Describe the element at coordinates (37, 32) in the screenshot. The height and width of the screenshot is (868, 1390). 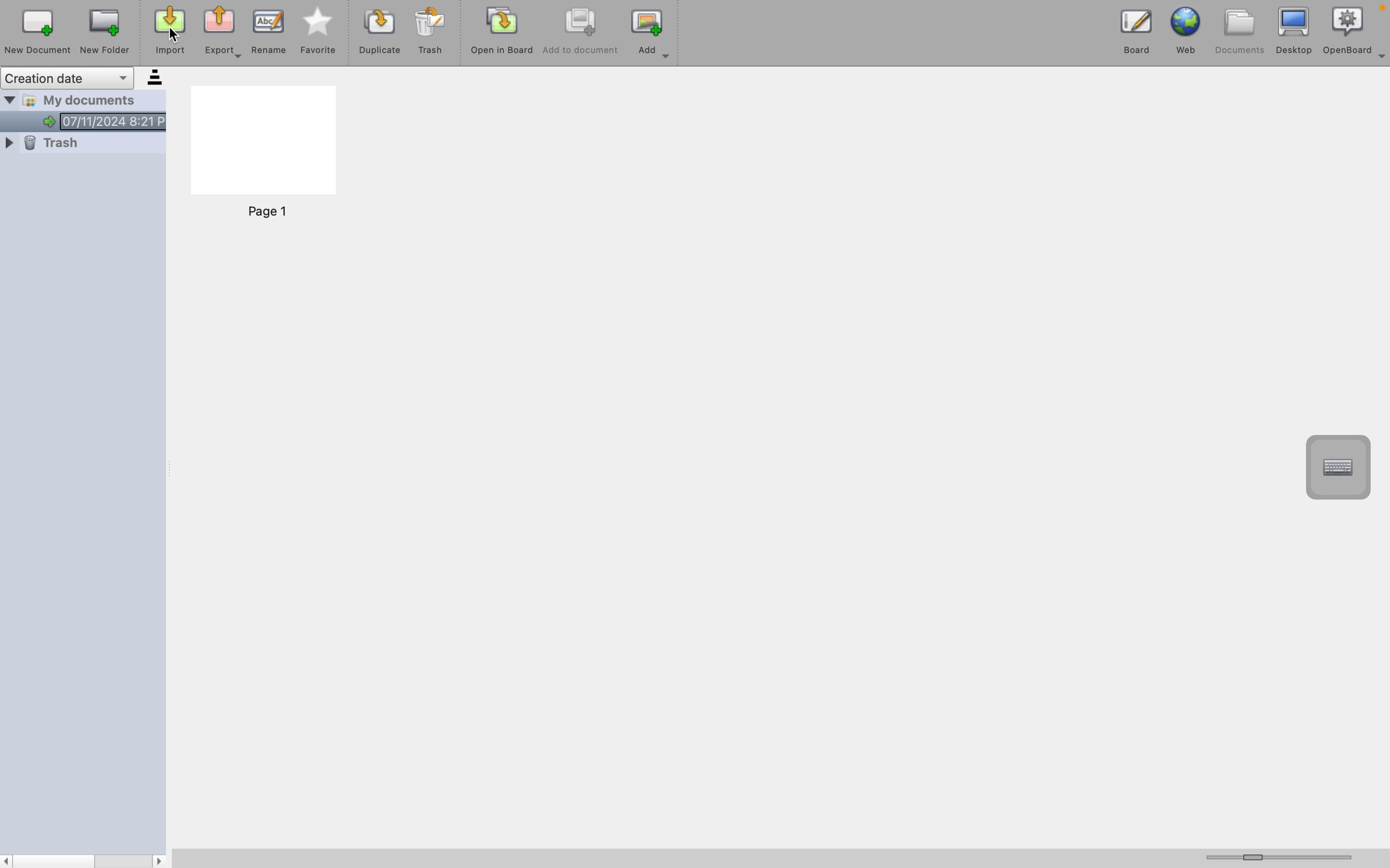
I see `new document` at that location.